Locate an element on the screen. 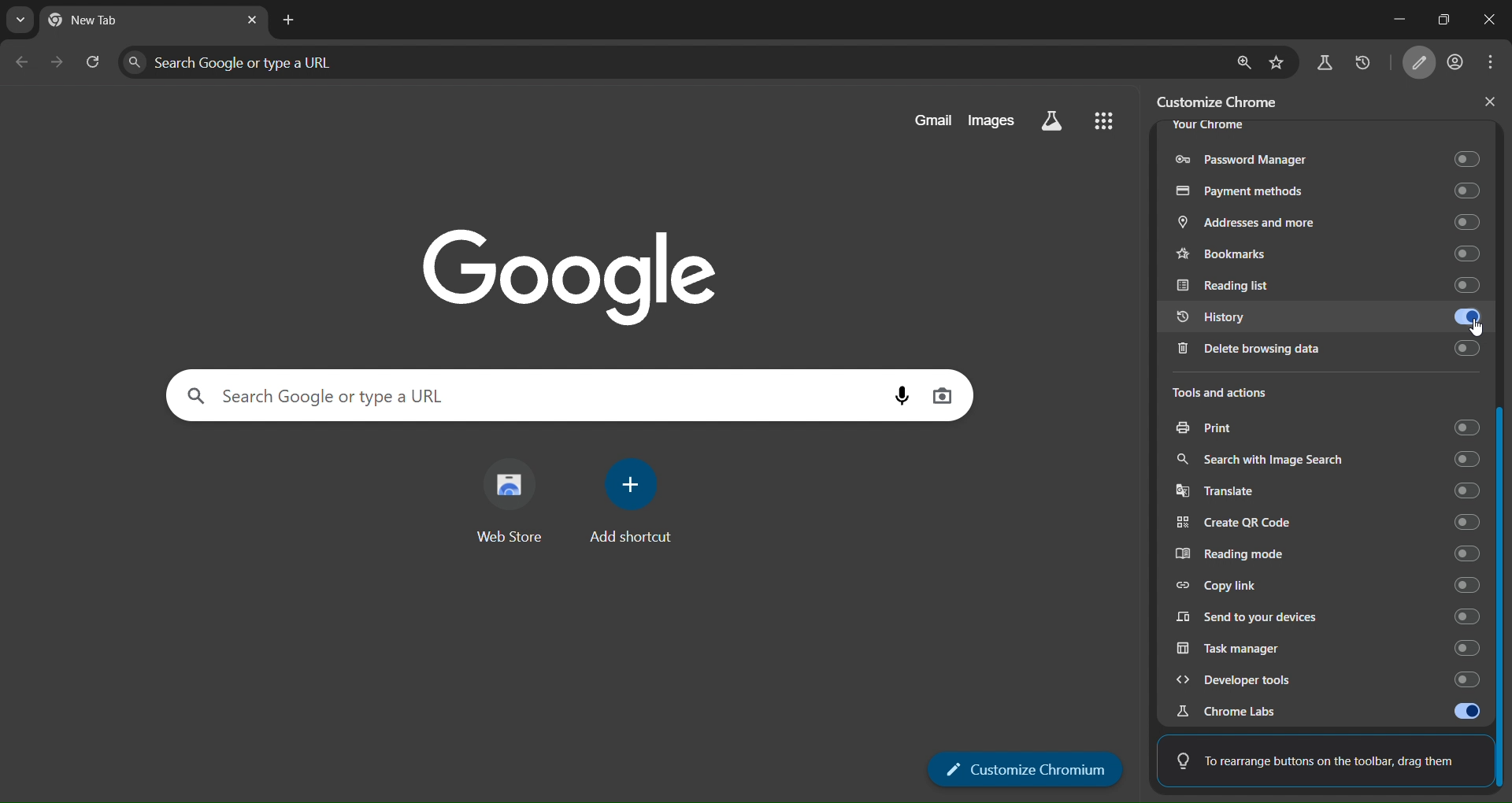  history is located at coordinates (1362, 64).